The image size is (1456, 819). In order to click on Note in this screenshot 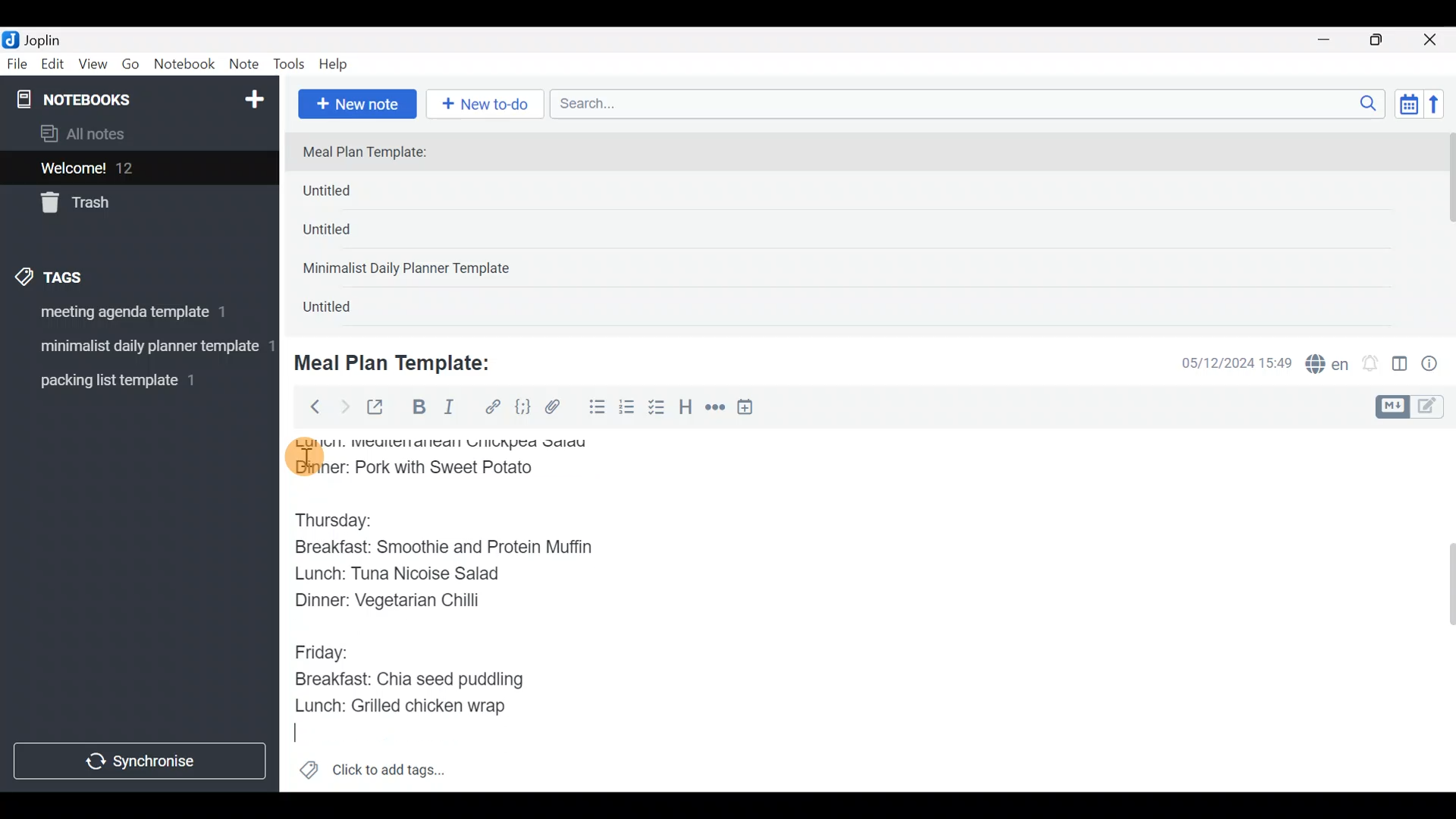, I will do `click(247, 65)`.